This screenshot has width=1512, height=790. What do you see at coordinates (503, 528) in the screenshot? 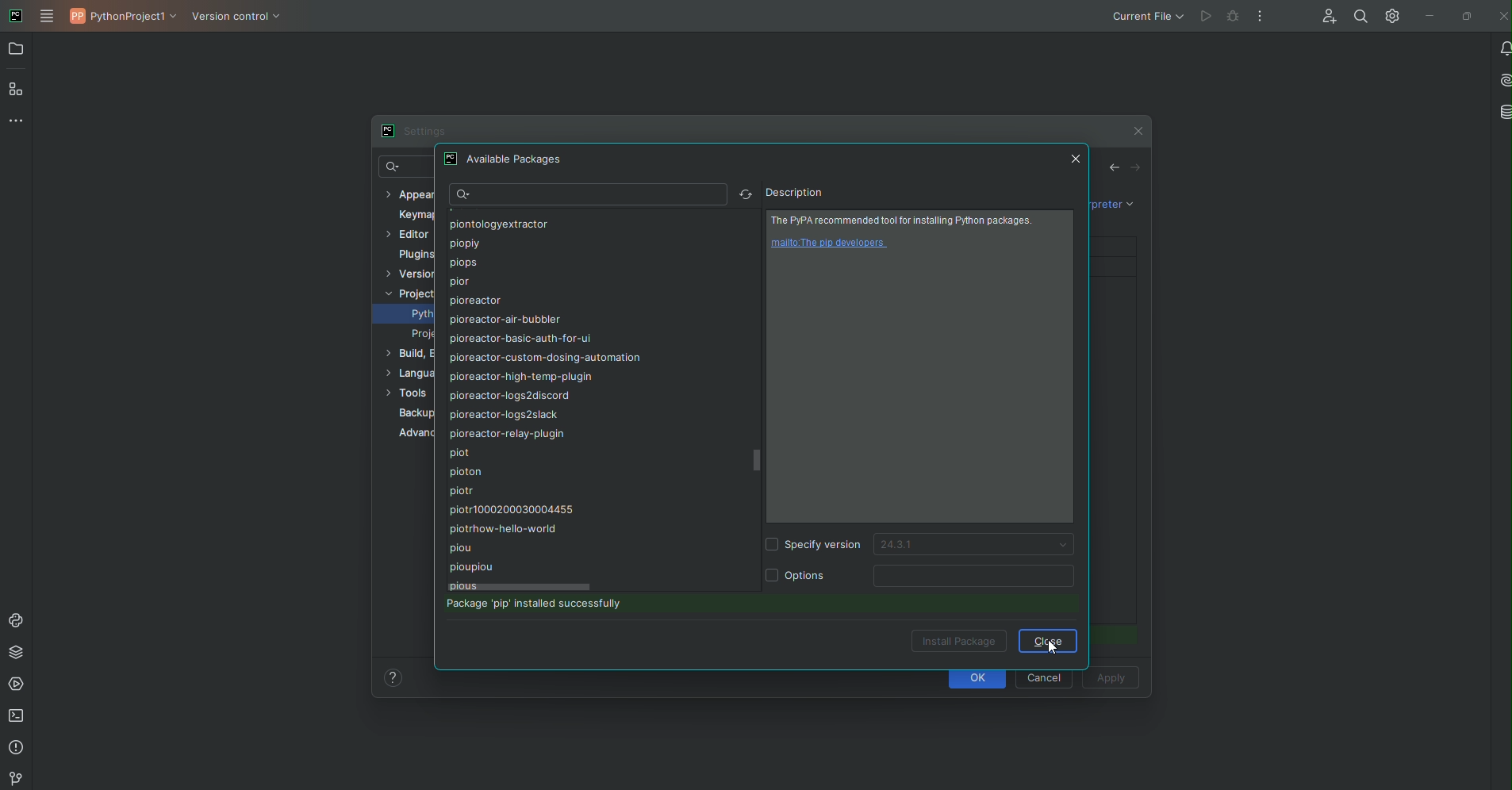
I see `piotrhow-hello-world` at bounding box center [503, 528].